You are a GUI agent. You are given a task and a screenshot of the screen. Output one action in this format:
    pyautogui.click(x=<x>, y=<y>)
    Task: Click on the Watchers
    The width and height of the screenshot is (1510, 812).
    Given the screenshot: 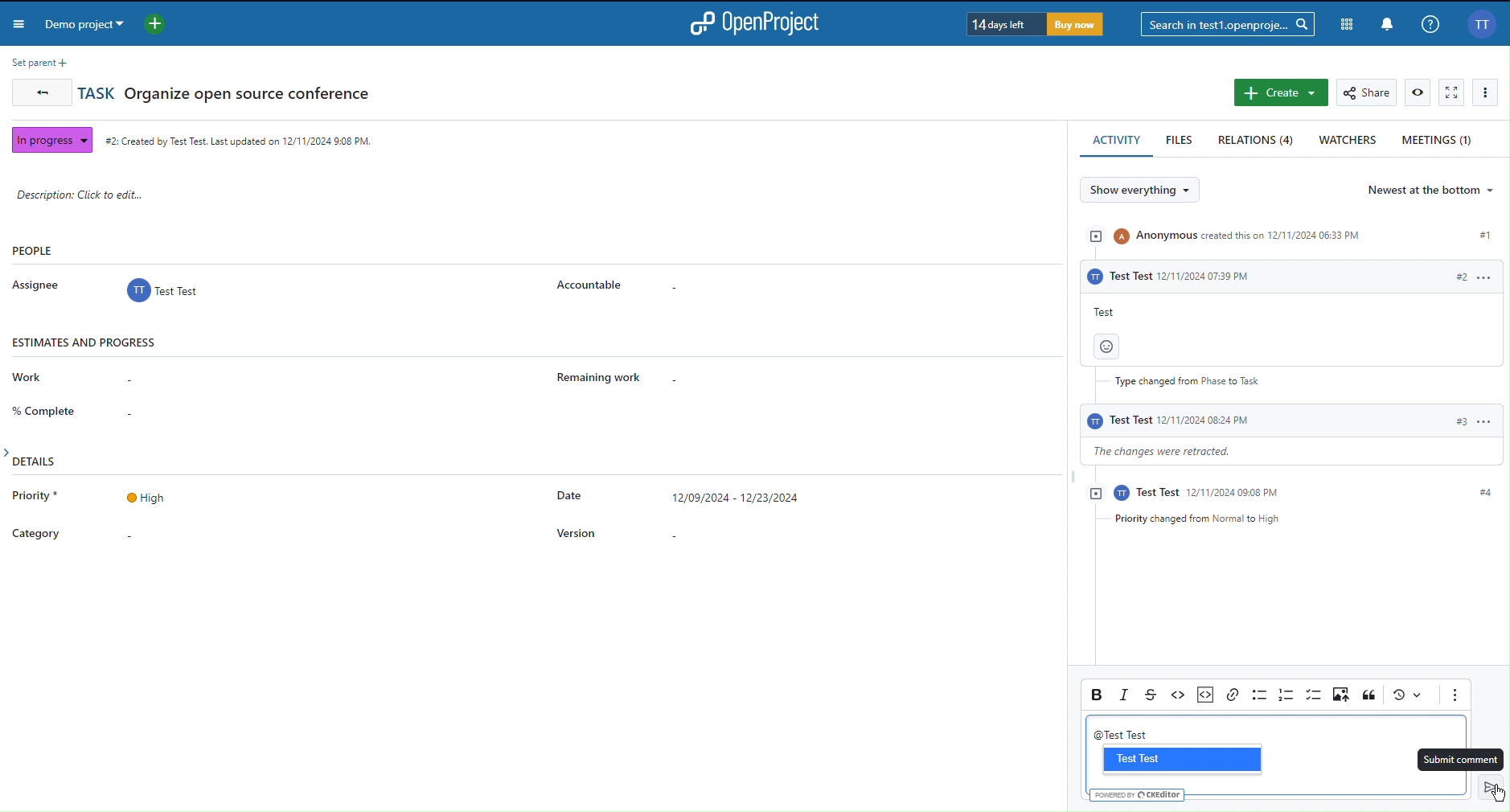 What is the action you would take?
    pyautogui.click(x=1348, y=141)
    